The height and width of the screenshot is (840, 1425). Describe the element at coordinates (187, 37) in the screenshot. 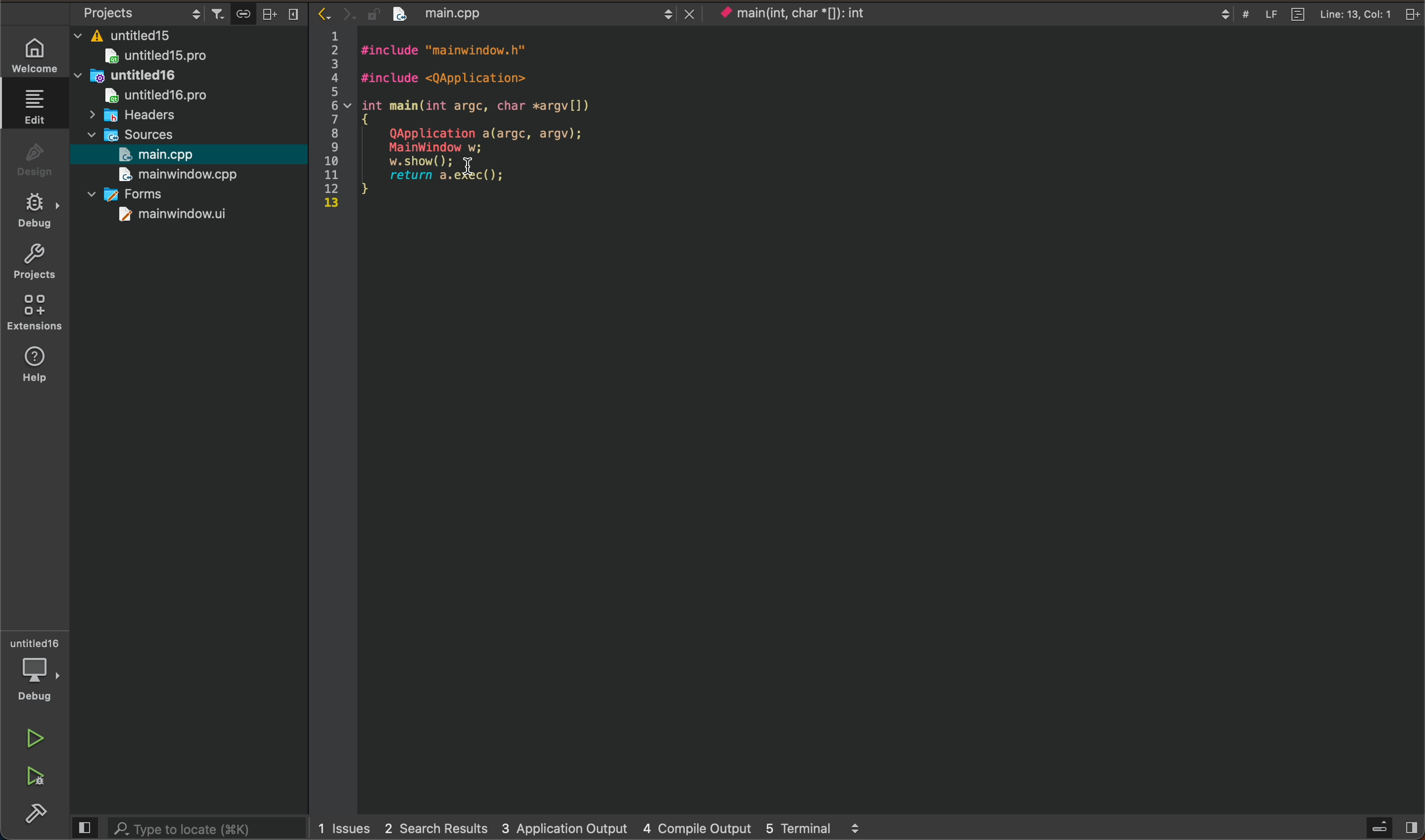

I see `files and folders` at that location.